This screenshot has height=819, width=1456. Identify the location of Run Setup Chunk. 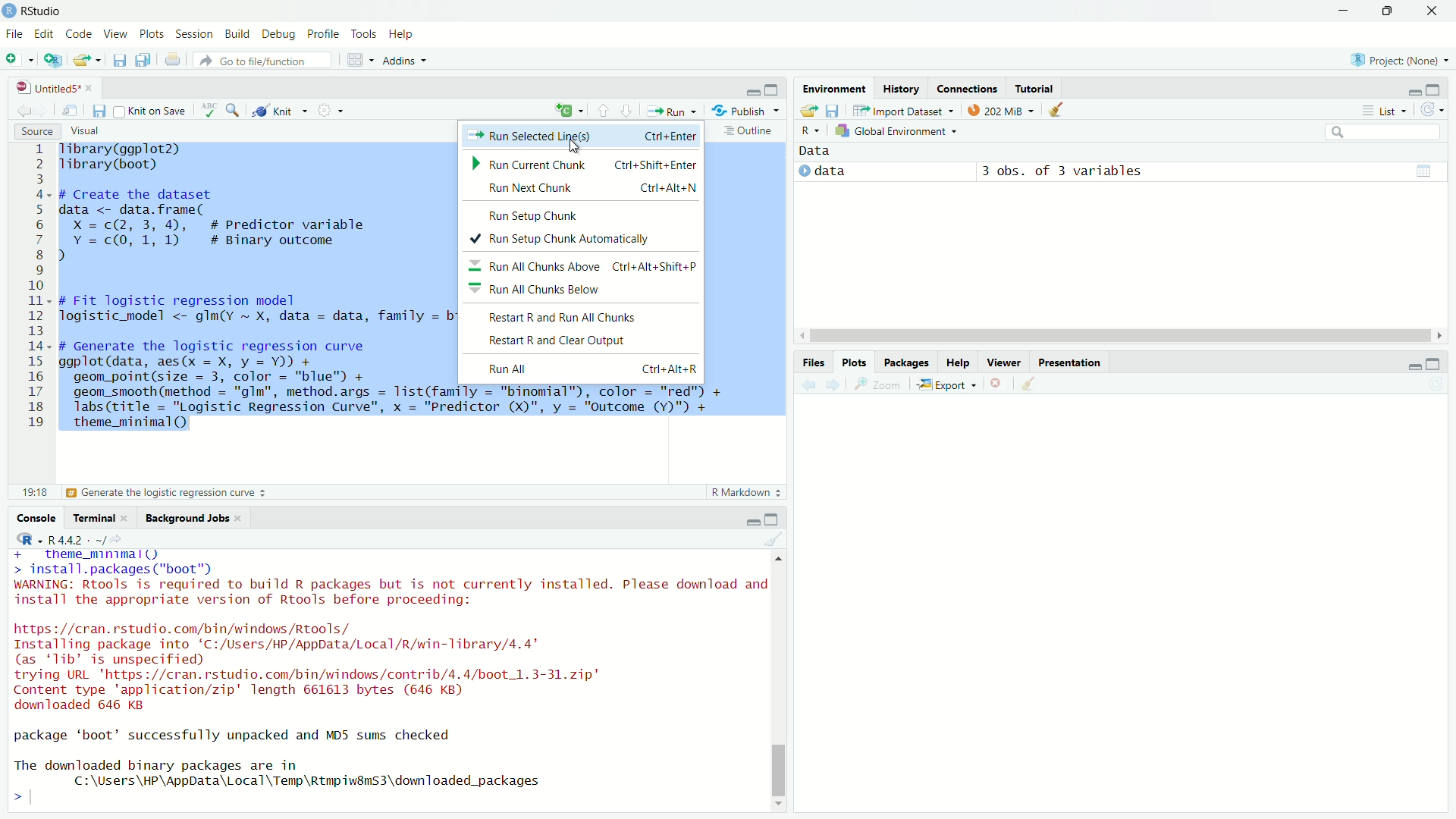
(582, 214).